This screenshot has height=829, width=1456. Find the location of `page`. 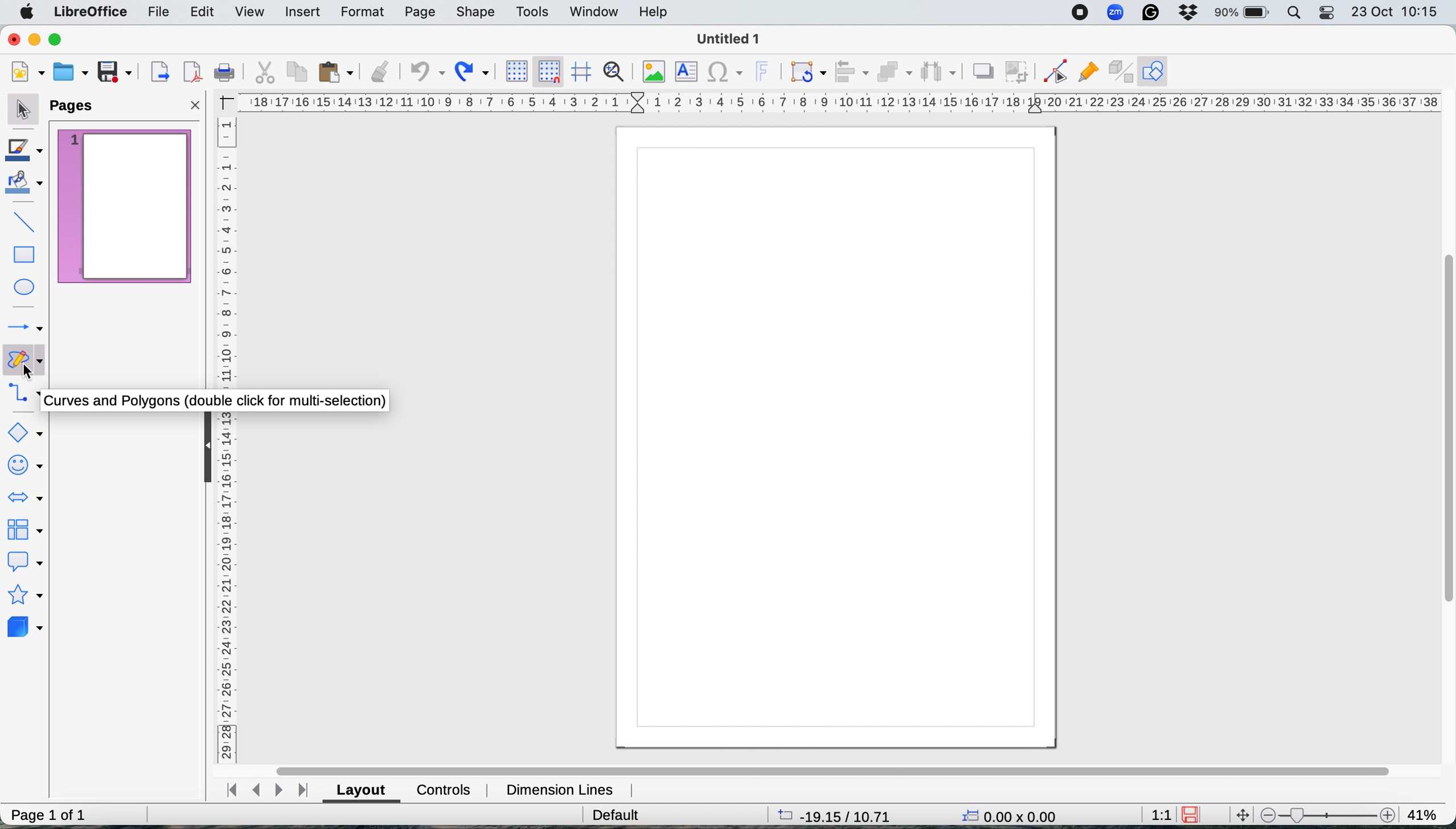

page is located at coordinates (421, 13).